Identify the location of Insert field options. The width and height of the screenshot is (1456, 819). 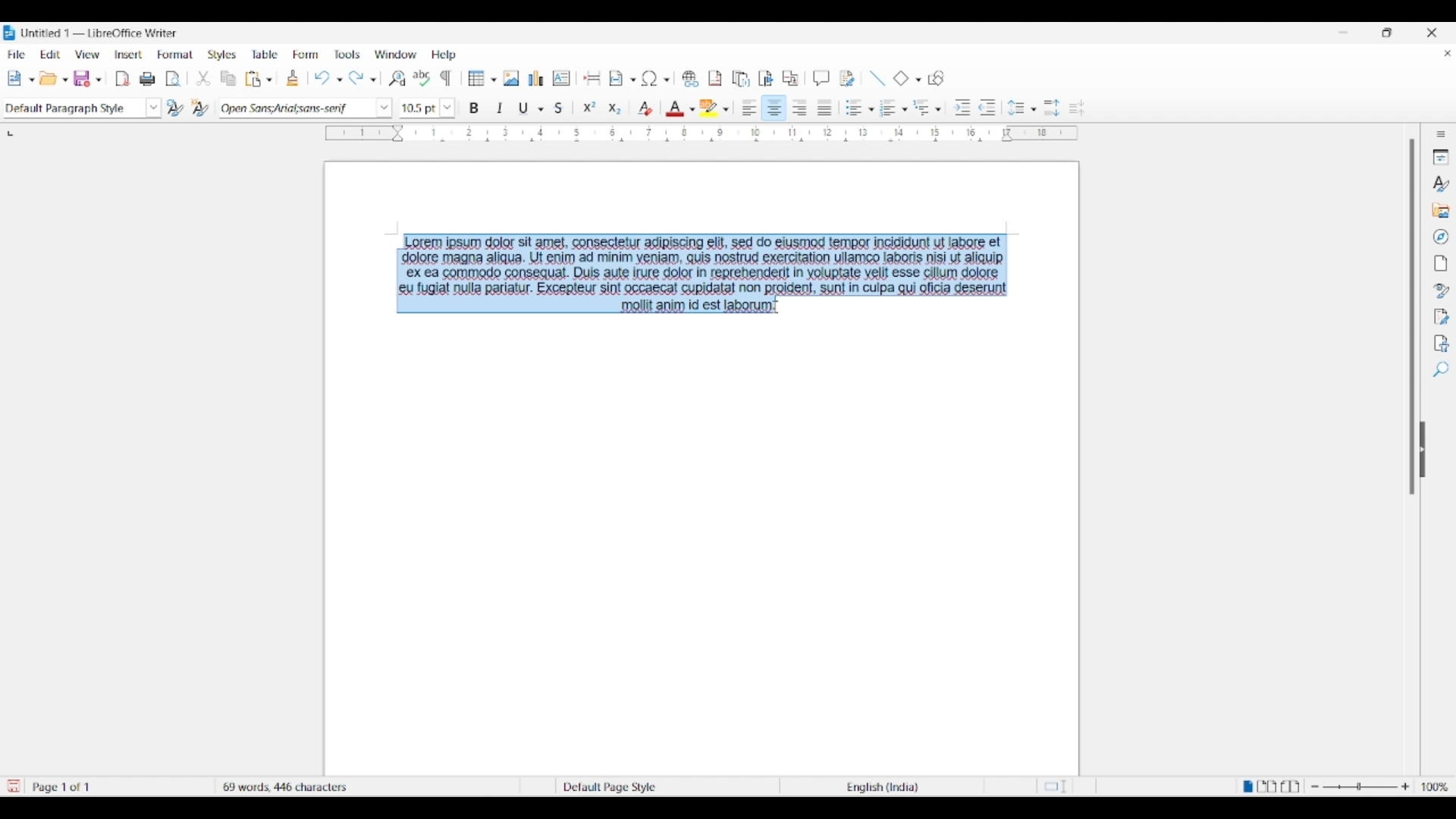
(634, 80).